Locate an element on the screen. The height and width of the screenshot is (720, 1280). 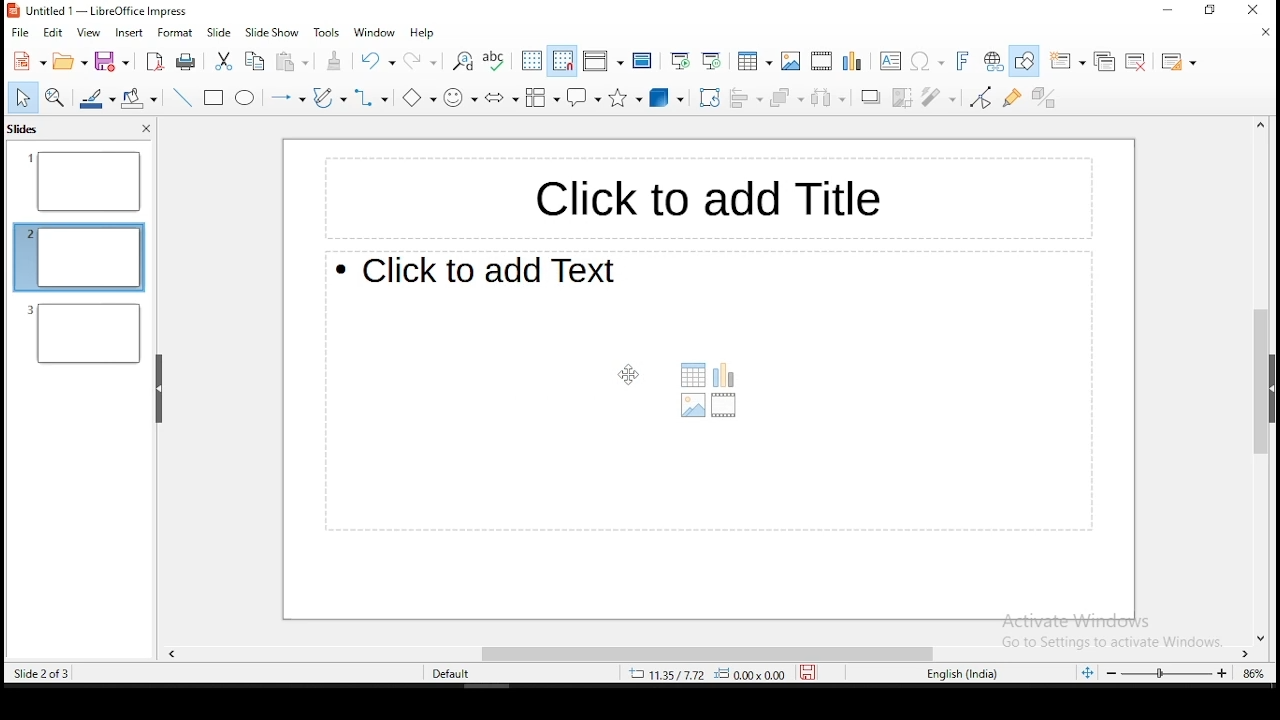
select tool is located at coordinates (20, 97).